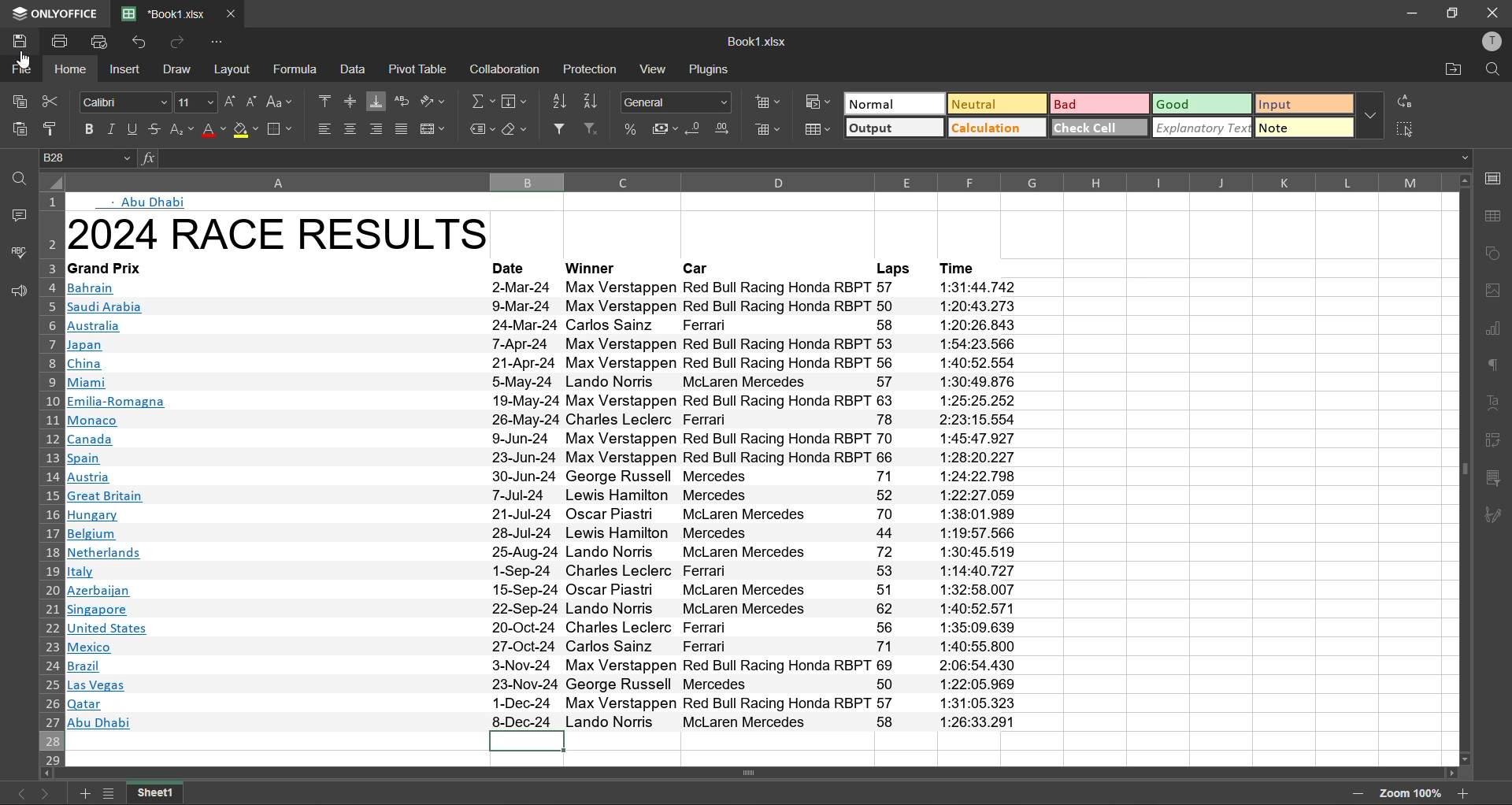  What do you see at coordinates (50, 480) in the screenshot?
I see `row numbers` at bounding box center [50, 480].